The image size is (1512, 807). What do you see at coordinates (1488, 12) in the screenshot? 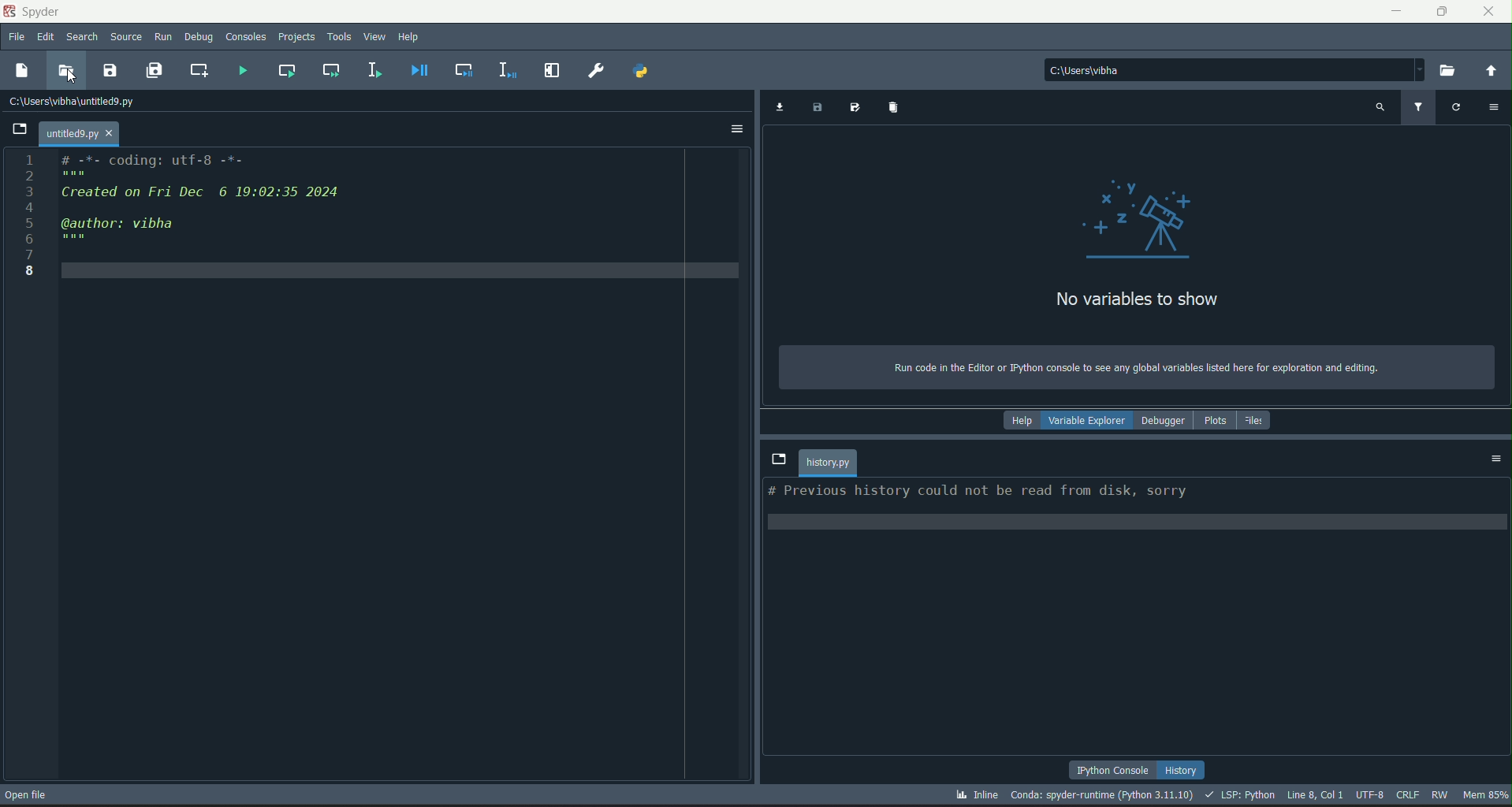
I see `close` at bounding box center [1488, 12].